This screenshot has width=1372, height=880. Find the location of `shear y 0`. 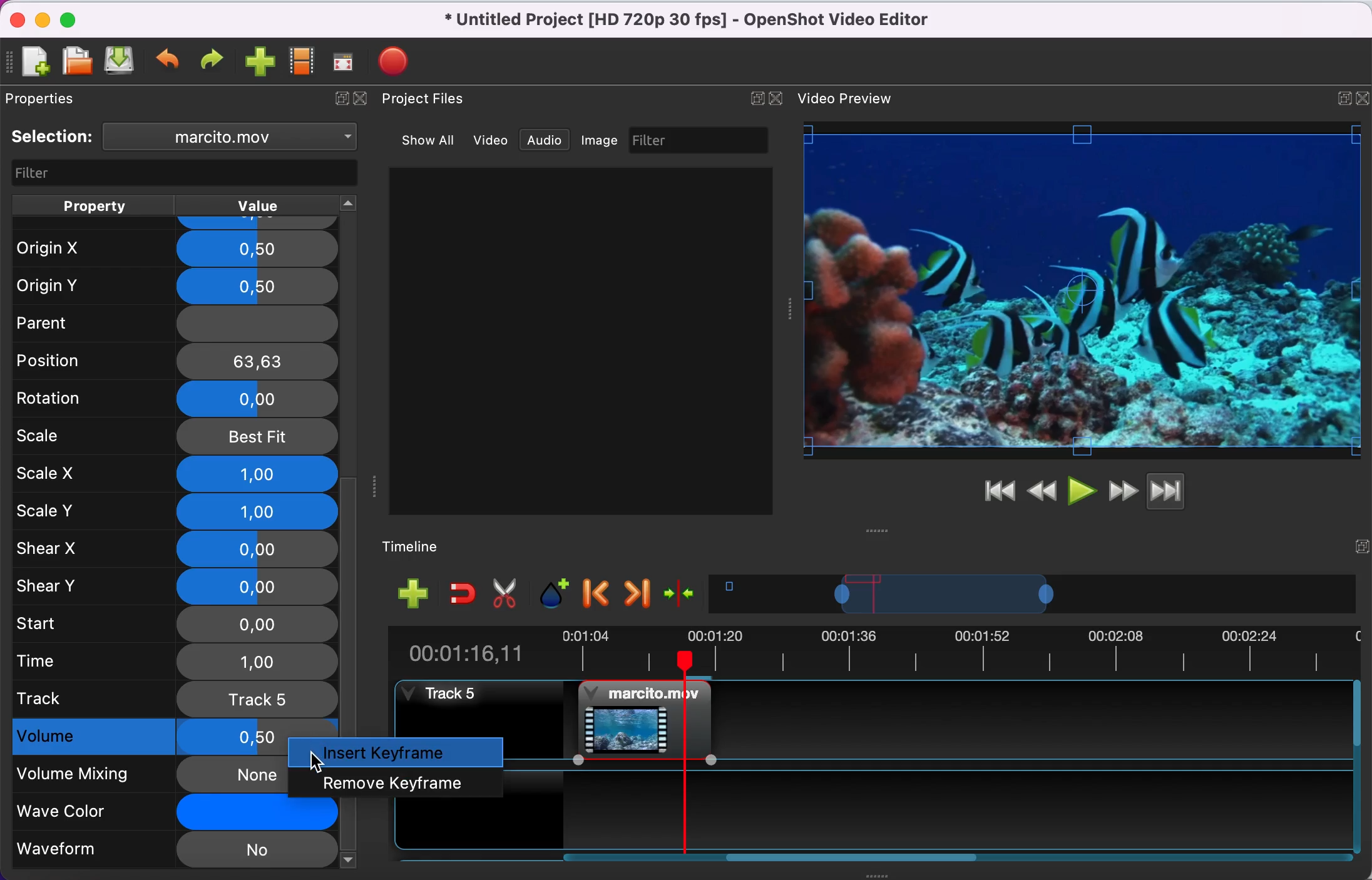

shear y 0 is located at coordinates (176, 586).